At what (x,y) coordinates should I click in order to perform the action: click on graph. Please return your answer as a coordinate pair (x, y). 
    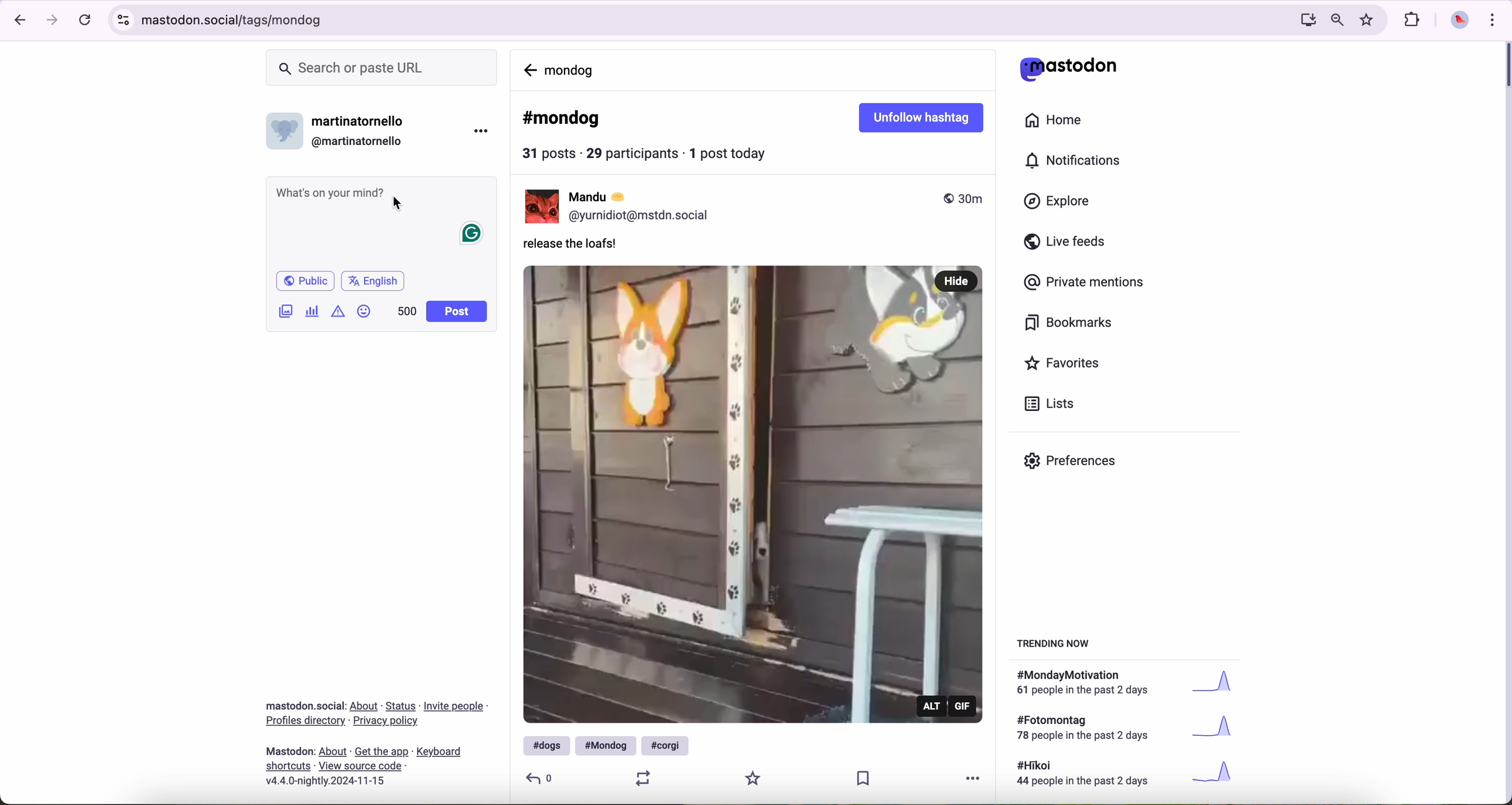
    Looking at the image, I should click on (1221, 685).